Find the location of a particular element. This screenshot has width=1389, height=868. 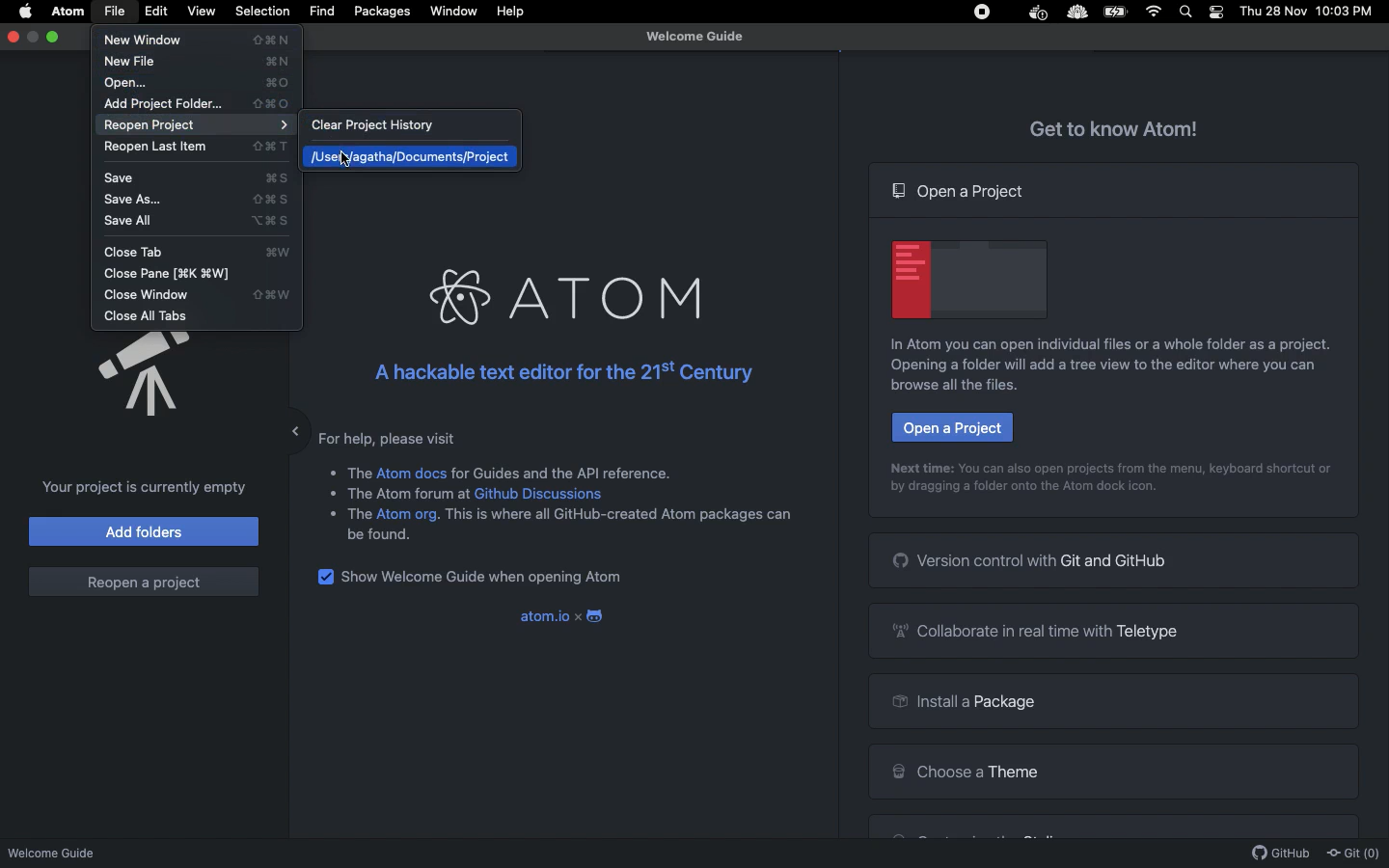

Instructional text is located at coordinates (1022, 492).